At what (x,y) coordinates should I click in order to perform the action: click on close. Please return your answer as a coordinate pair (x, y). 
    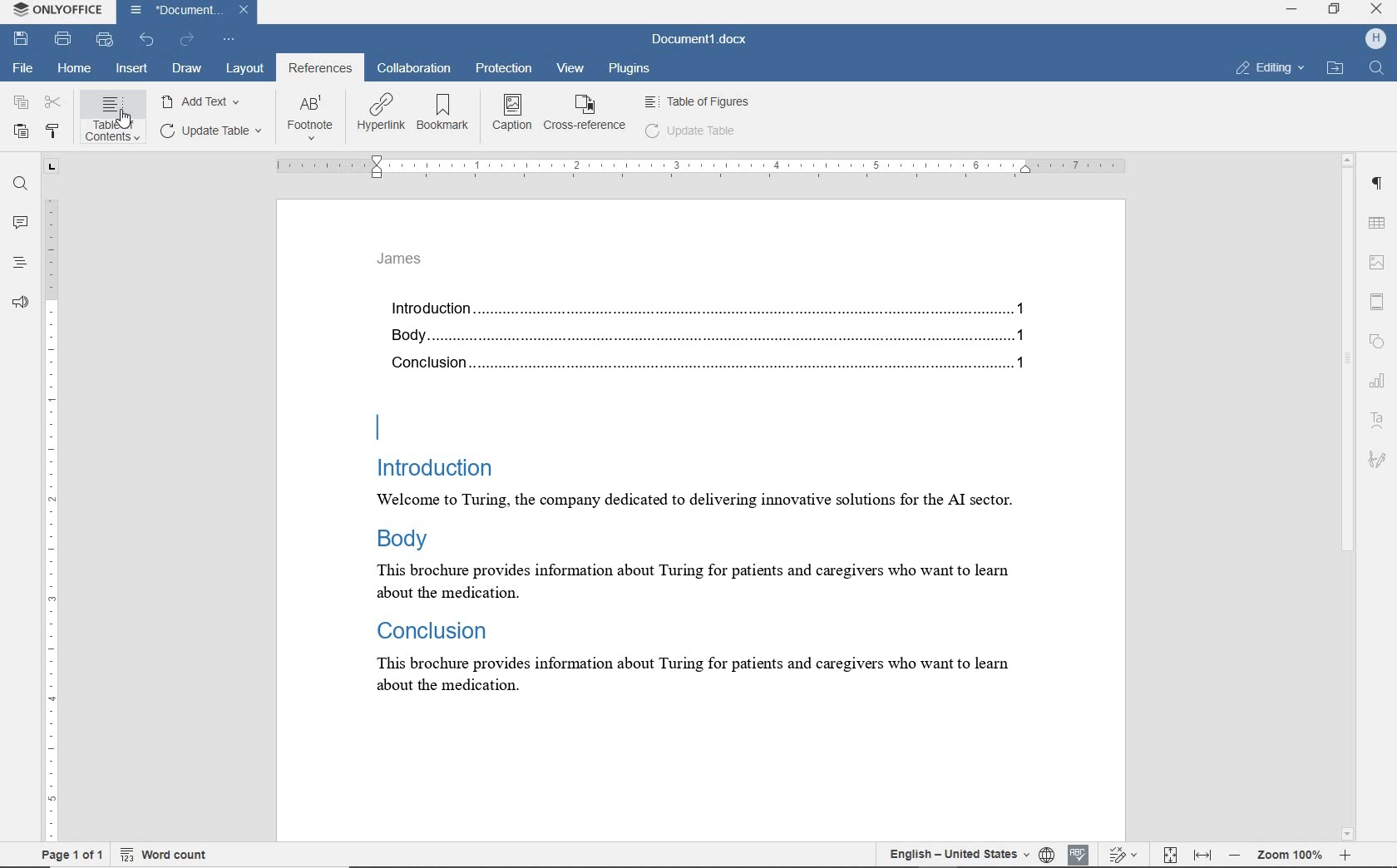
    Looking at the image, I should click on (1377, 11).